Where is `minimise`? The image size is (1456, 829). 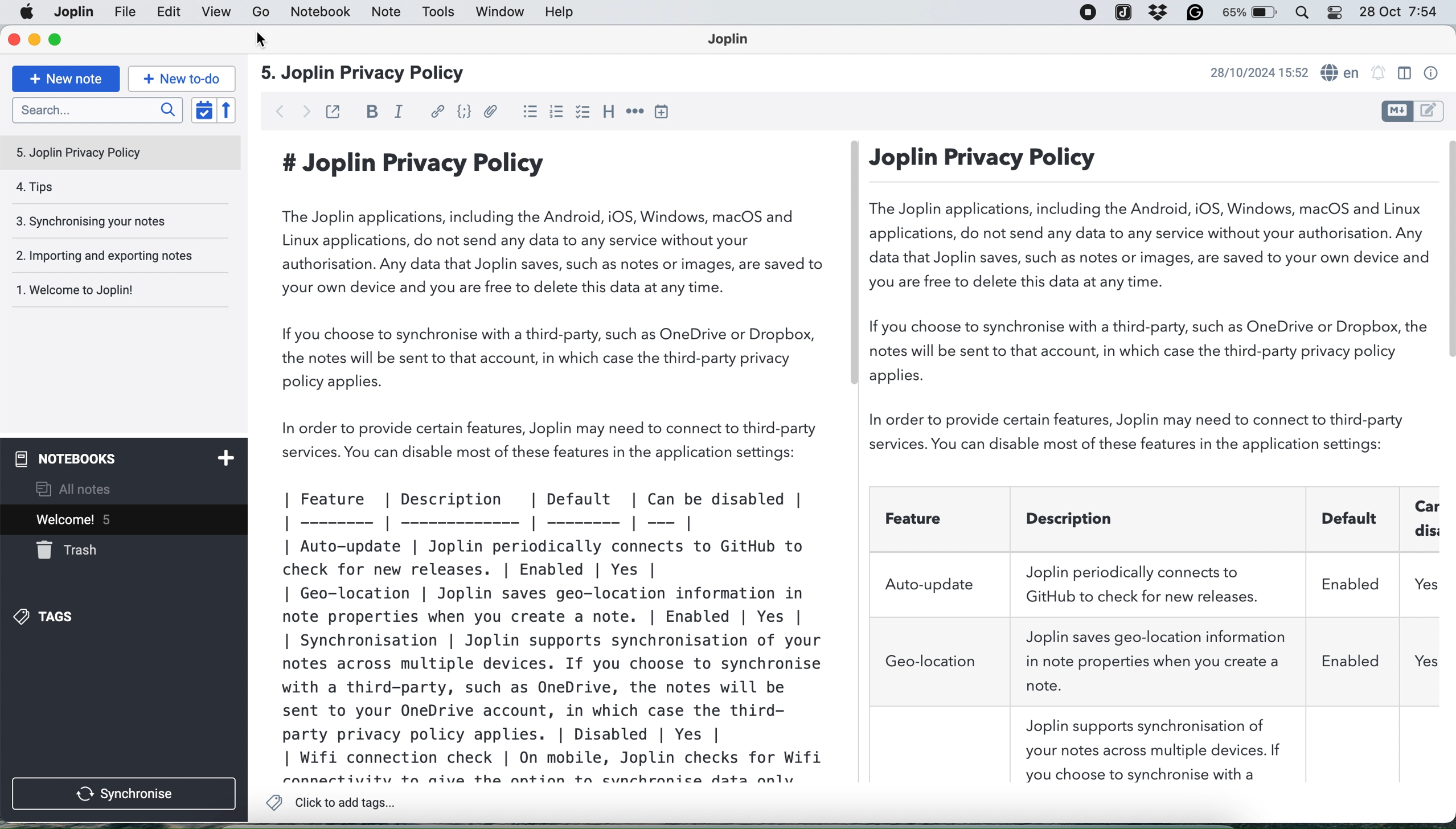 minimise is located at coordinates (34, 40).